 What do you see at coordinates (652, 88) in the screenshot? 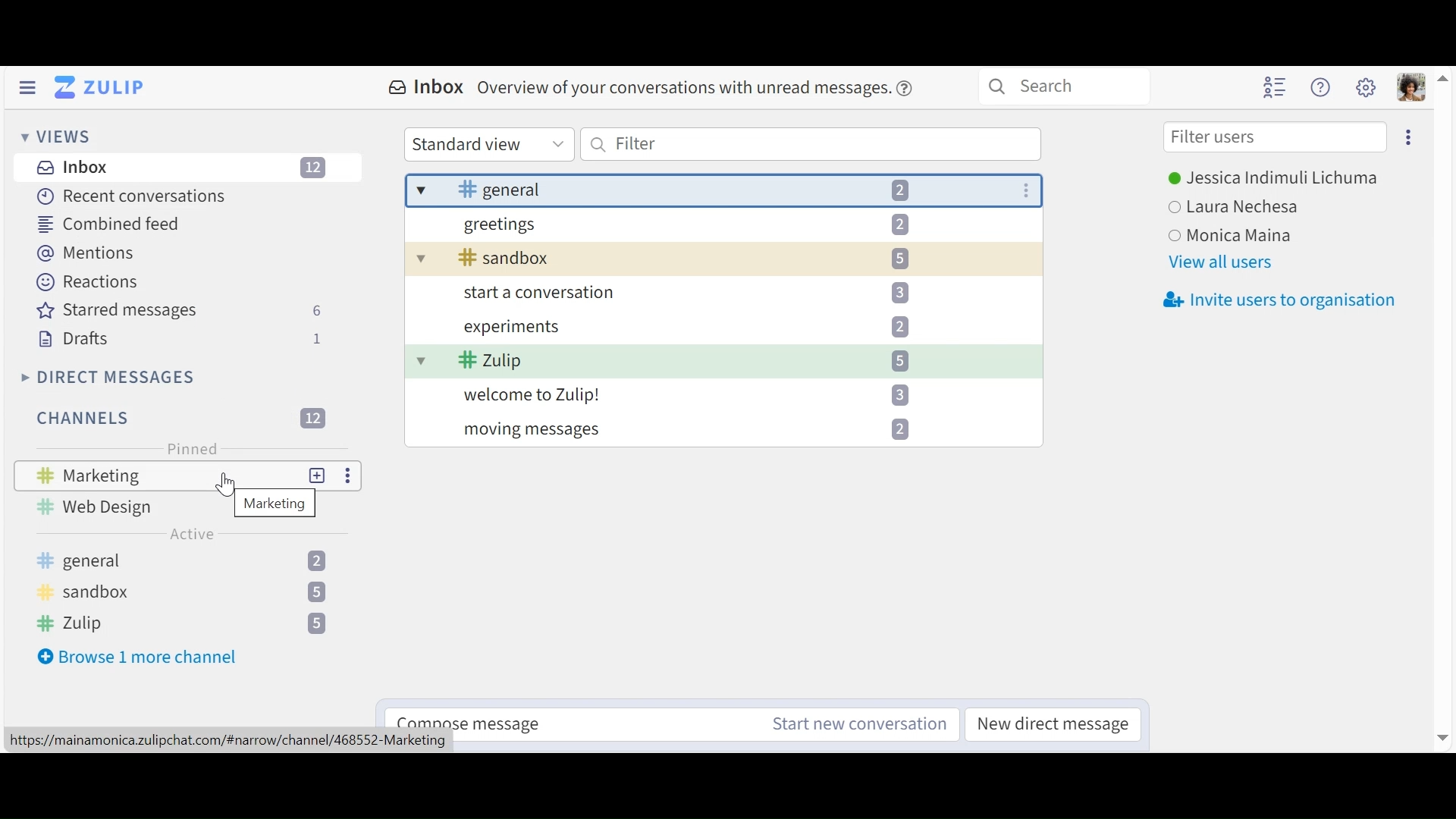
I see `Inbox` at bounding box center [652, 88].